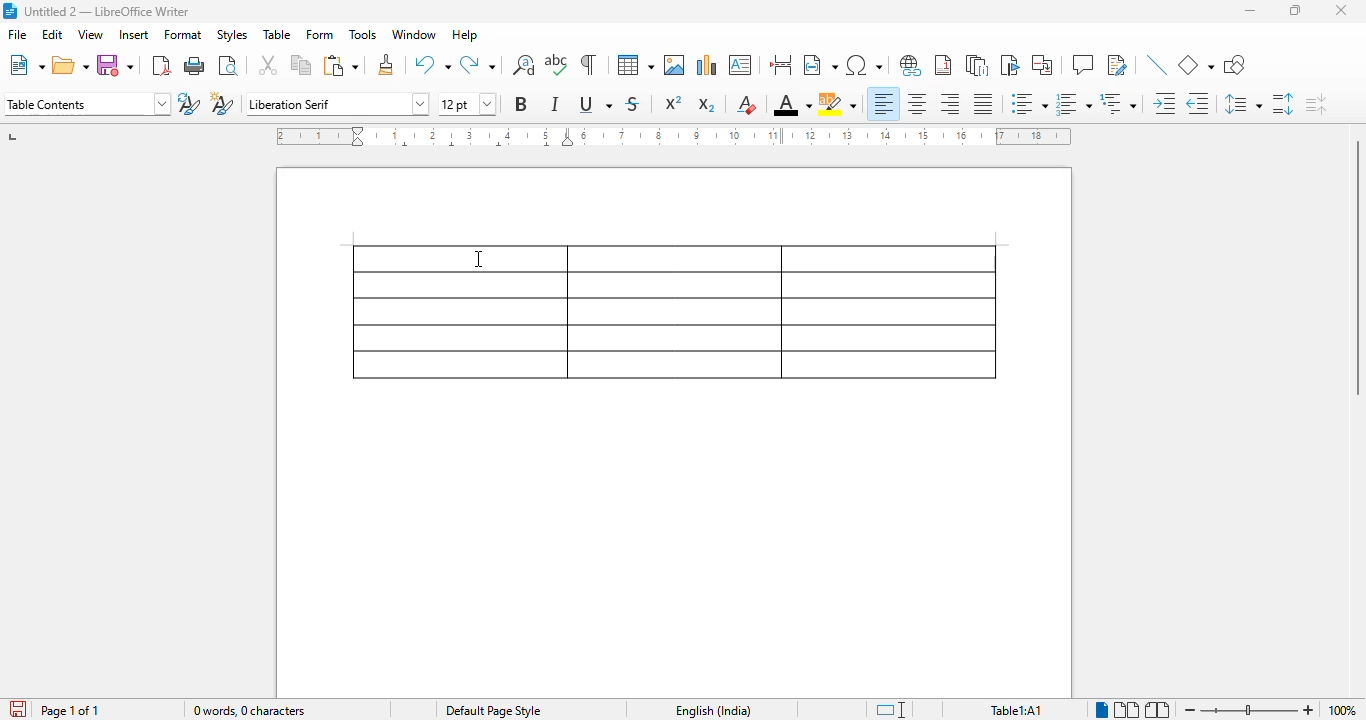 The width and height of the screenshot is (1366, 720). What do you see at coordinates (9, 11) in the screenshot?
I see `logo` at bounding box center [9, 11].